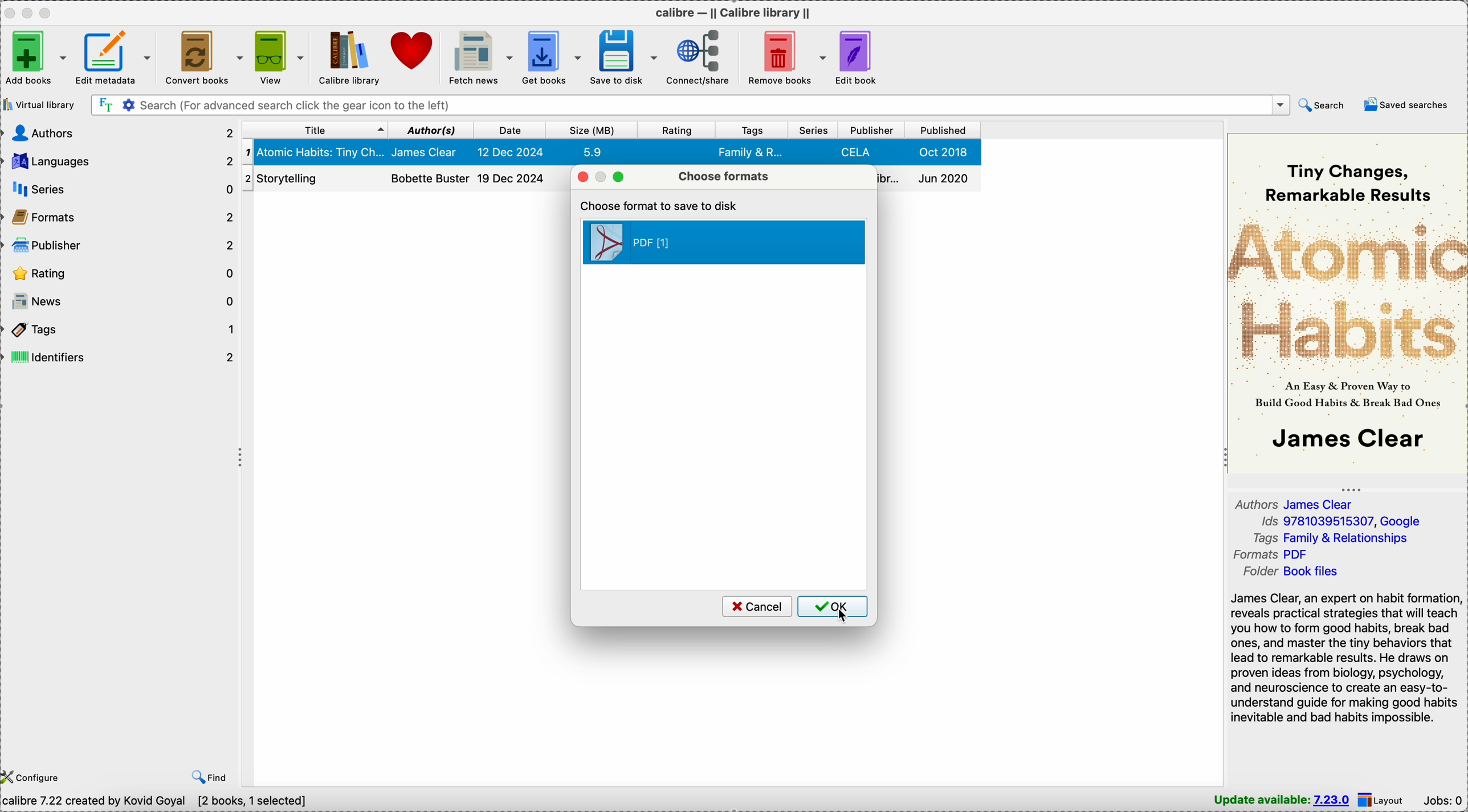 Image resolution: width=1468 pixels, height=812 pixels. I want to click on authors, so click(119, 132).